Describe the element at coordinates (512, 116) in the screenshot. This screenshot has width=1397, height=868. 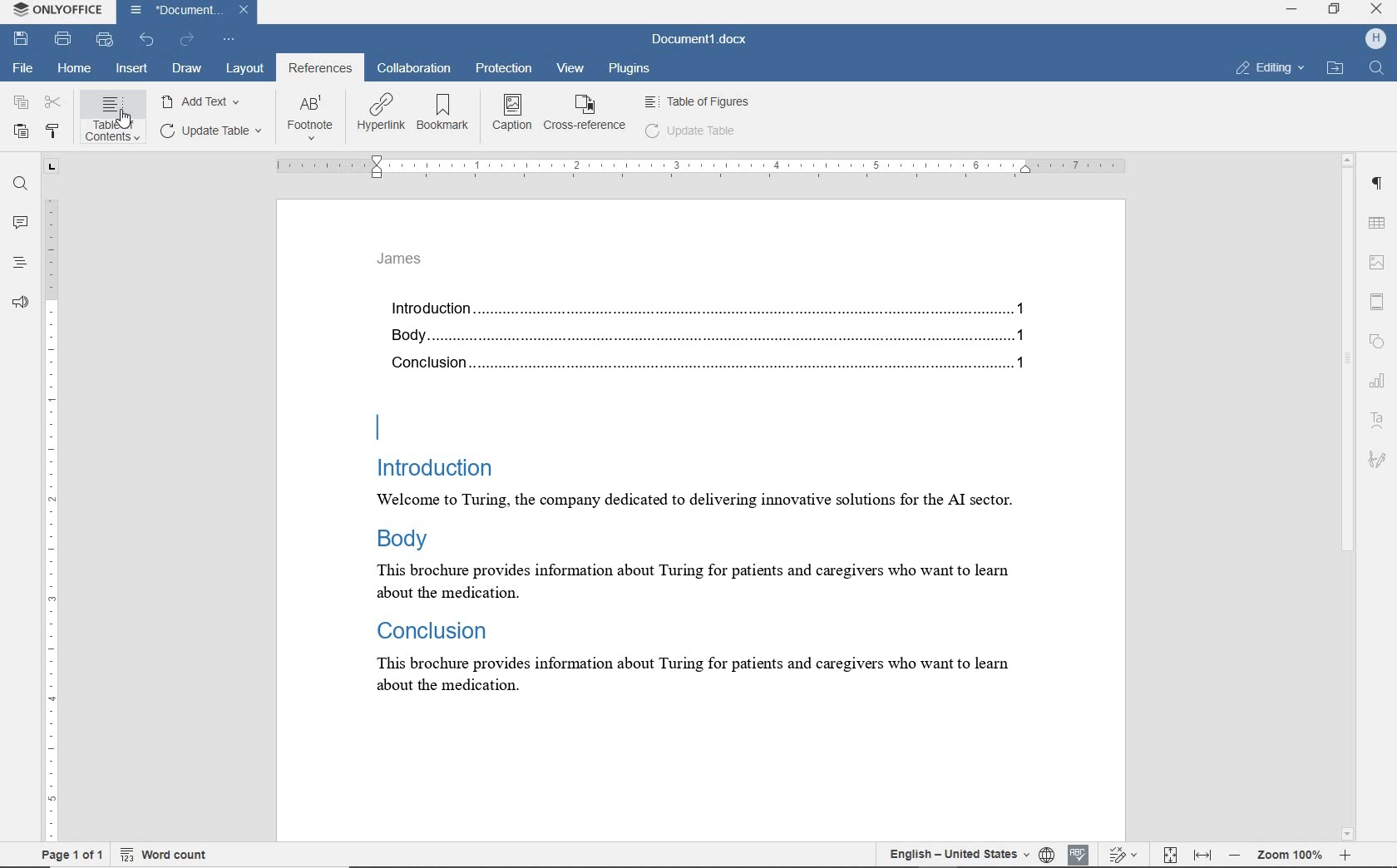
I see `caption` at that location.